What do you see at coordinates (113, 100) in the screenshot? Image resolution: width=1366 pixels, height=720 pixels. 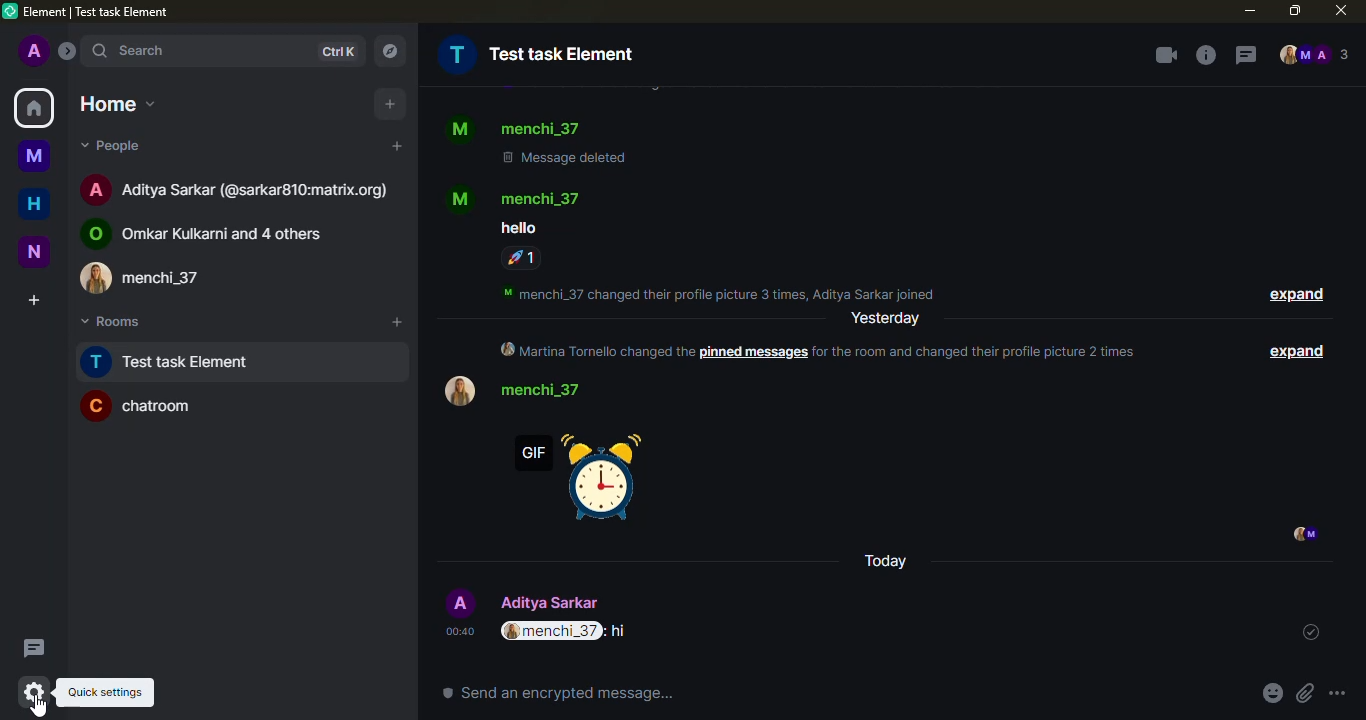 I see `home` at bounding box center [113, 100].